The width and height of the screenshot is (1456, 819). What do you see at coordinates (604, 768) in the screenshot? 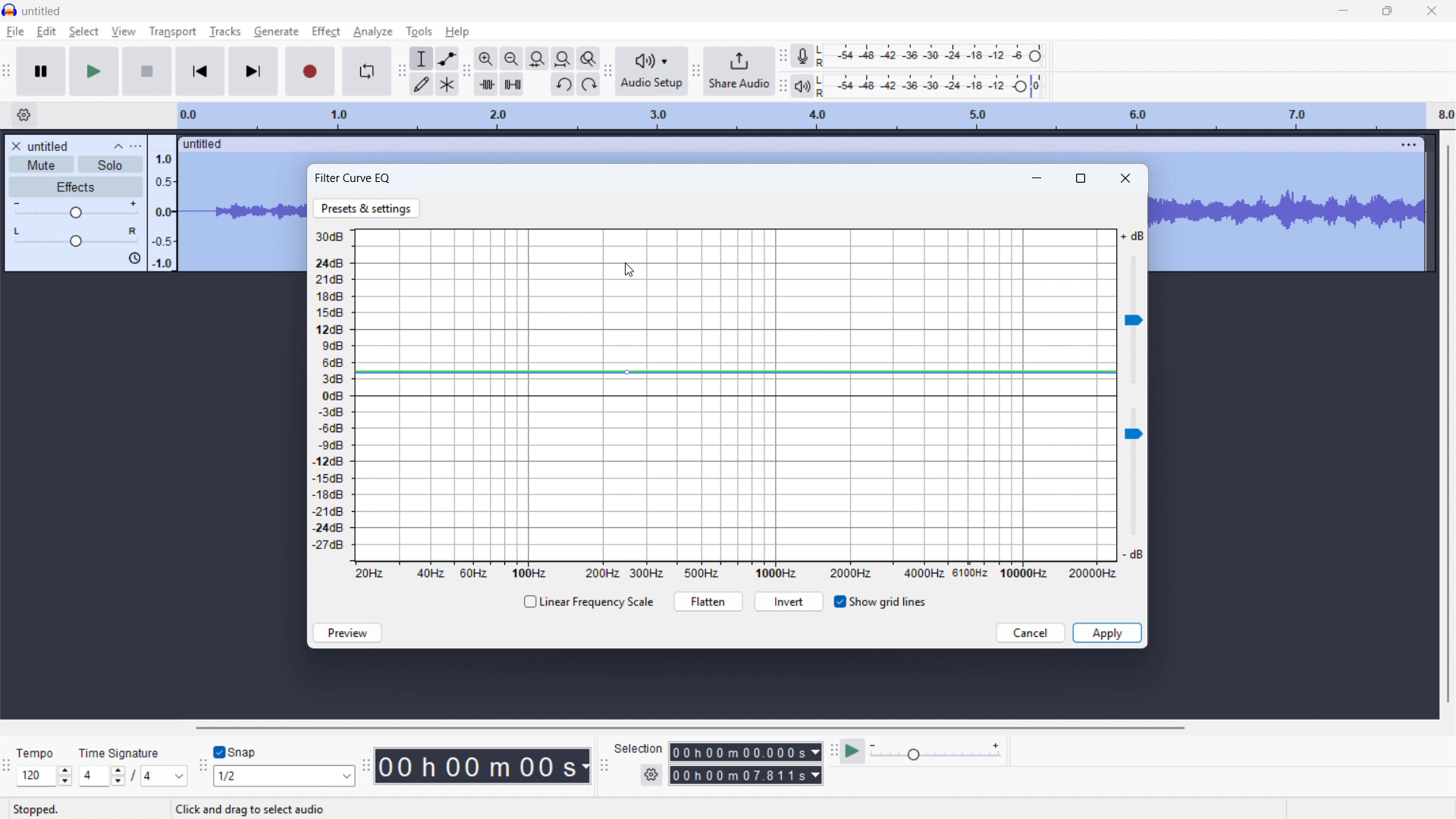
I see `Selection toolbar ` at bounding box center [604, 768].